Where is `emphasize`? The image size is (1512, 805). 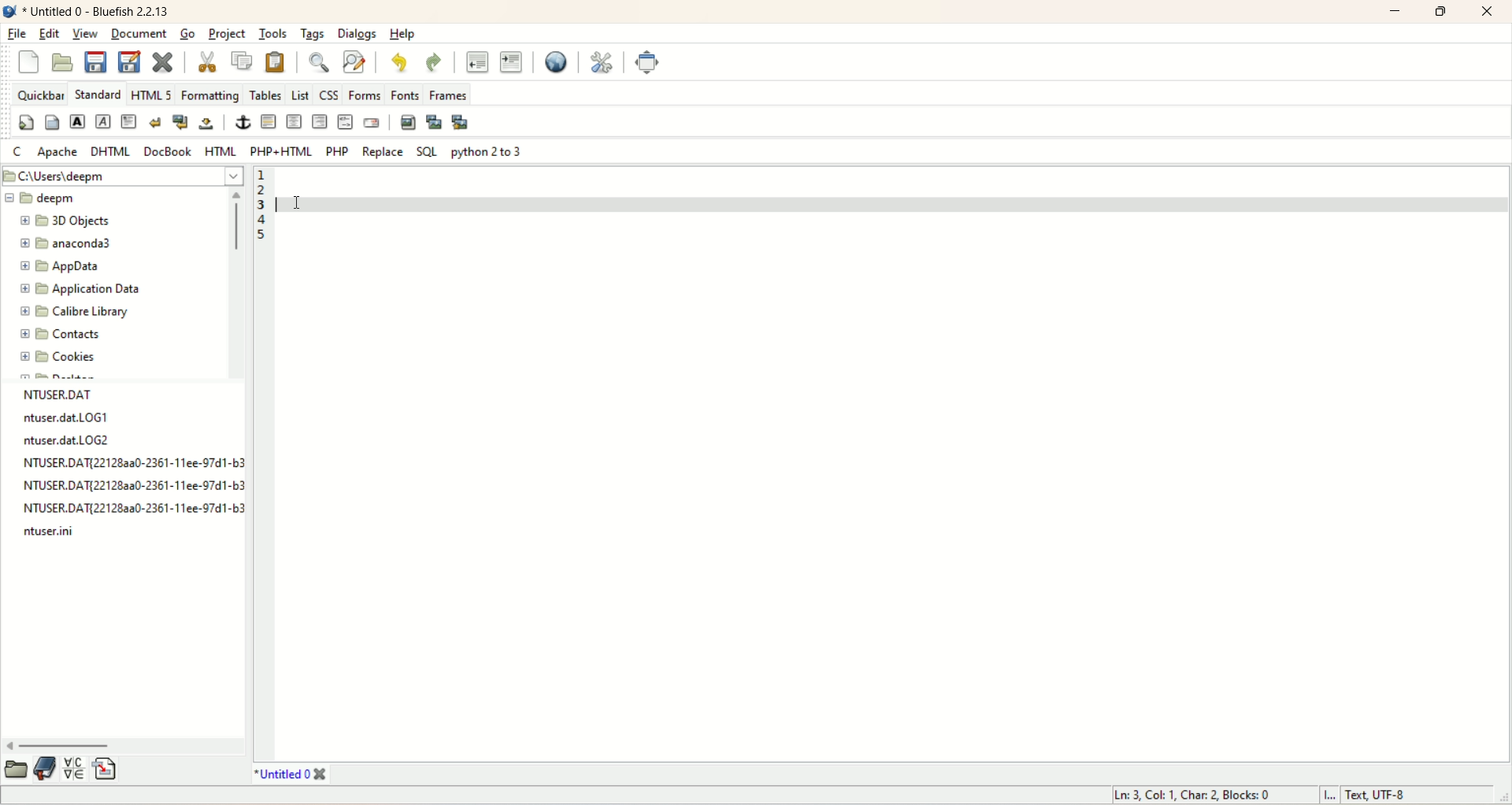 emphasize is located at coordinates (103, 121).